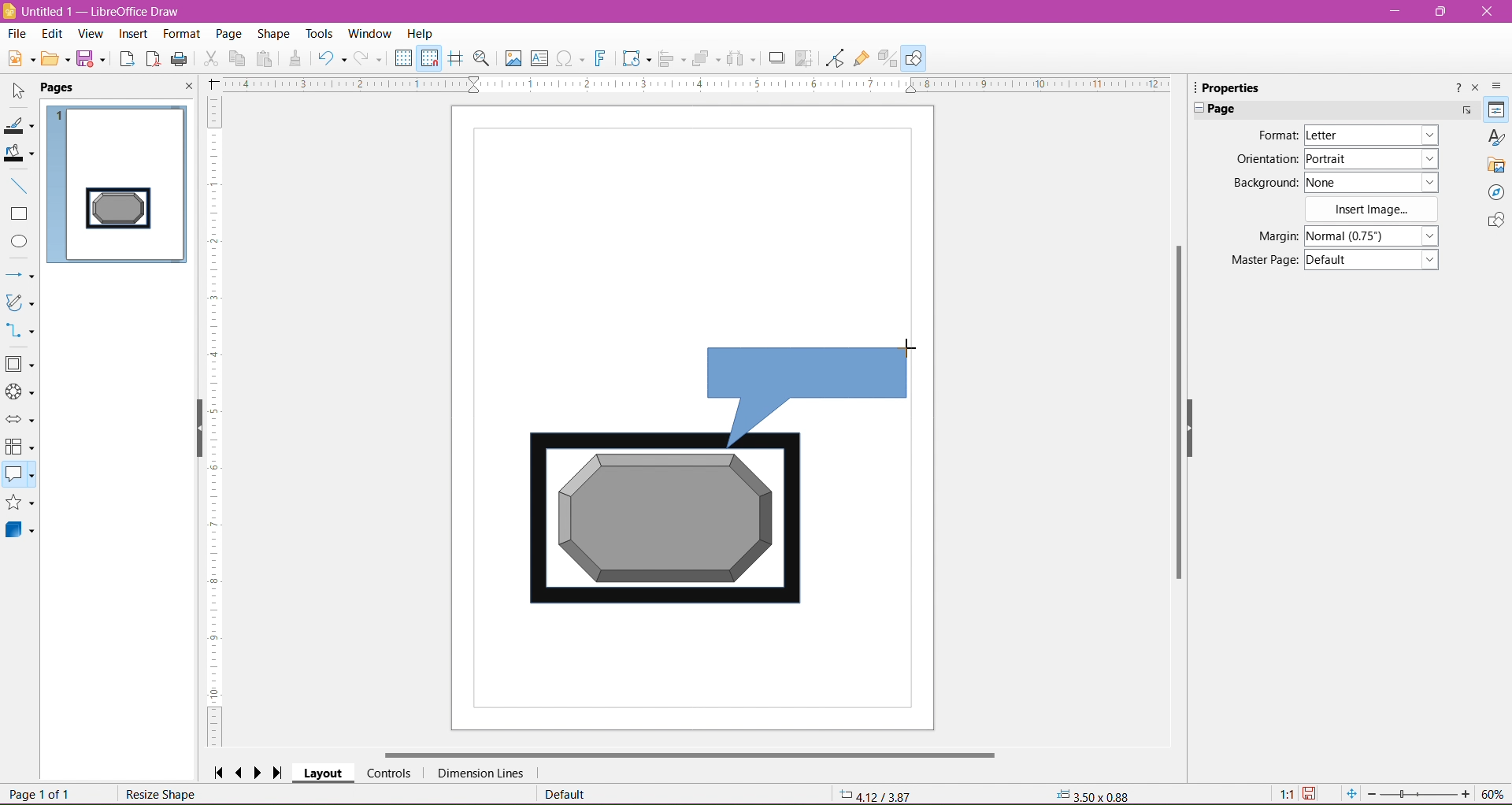 The image size is (1512, 805). What do you see at coordinates (565, 795) in the screenshot?
I see `Default` at bounding box center [565, 795].